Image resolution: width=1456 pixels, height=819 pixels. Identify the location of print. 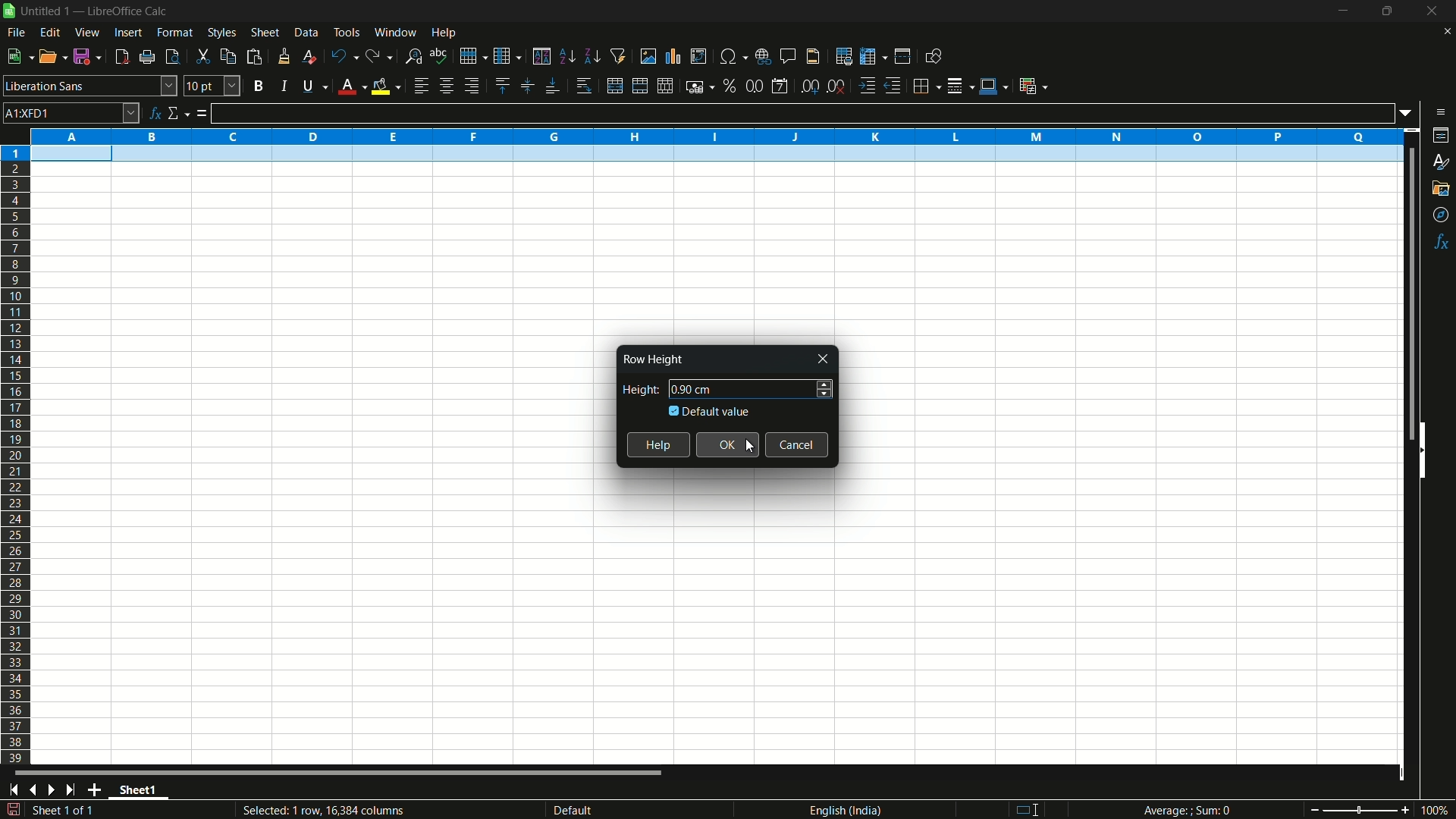
(147, 58).